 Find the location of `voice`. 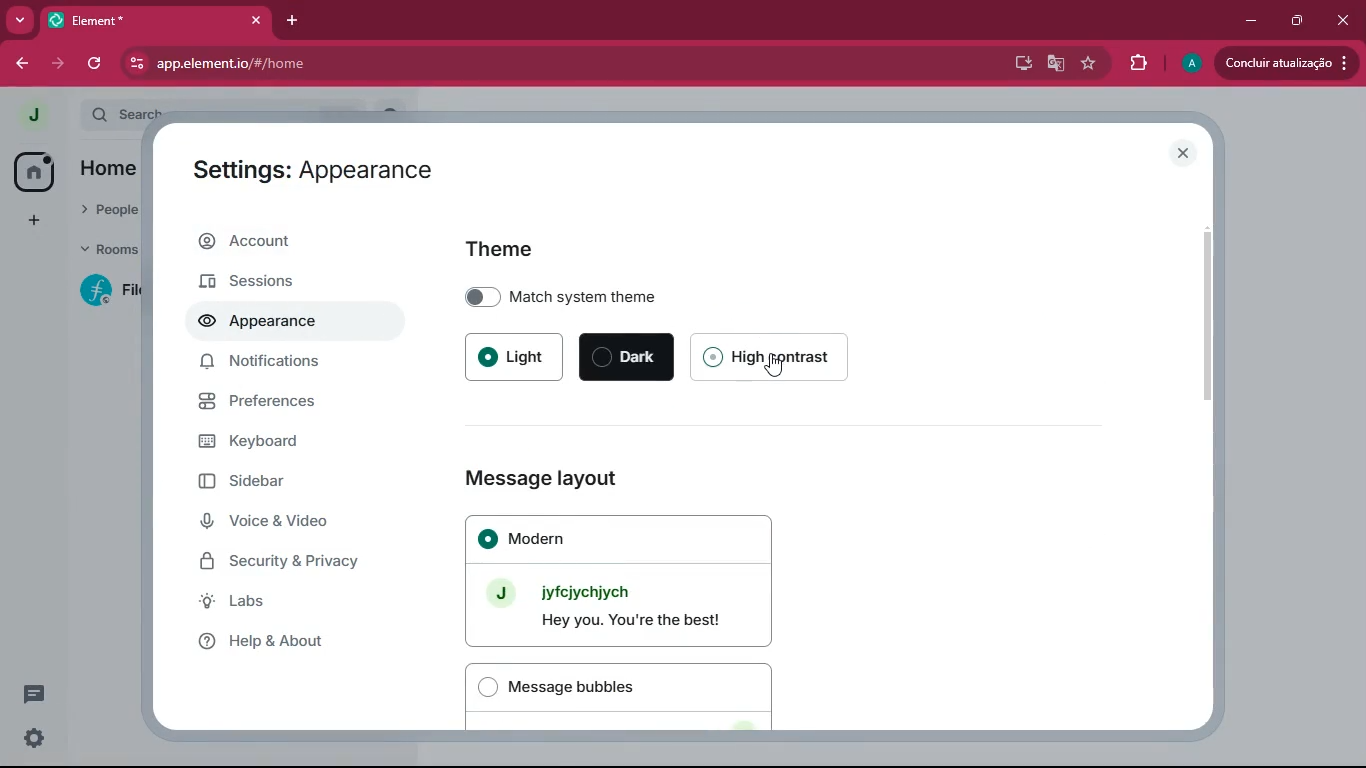

voice is located at coordinates (295, 522).